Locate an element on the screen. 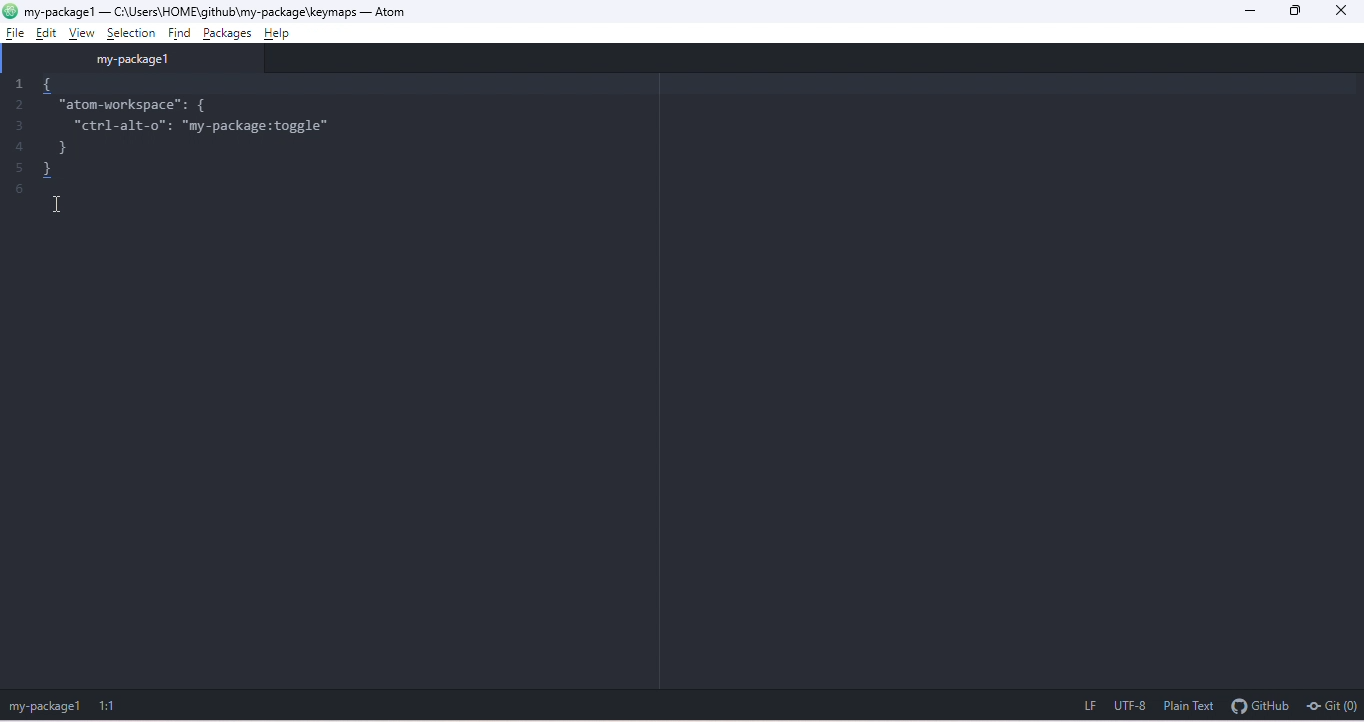 This screenshot has width=1364, height=722. my package 1 is located at coordinates (145, 56).